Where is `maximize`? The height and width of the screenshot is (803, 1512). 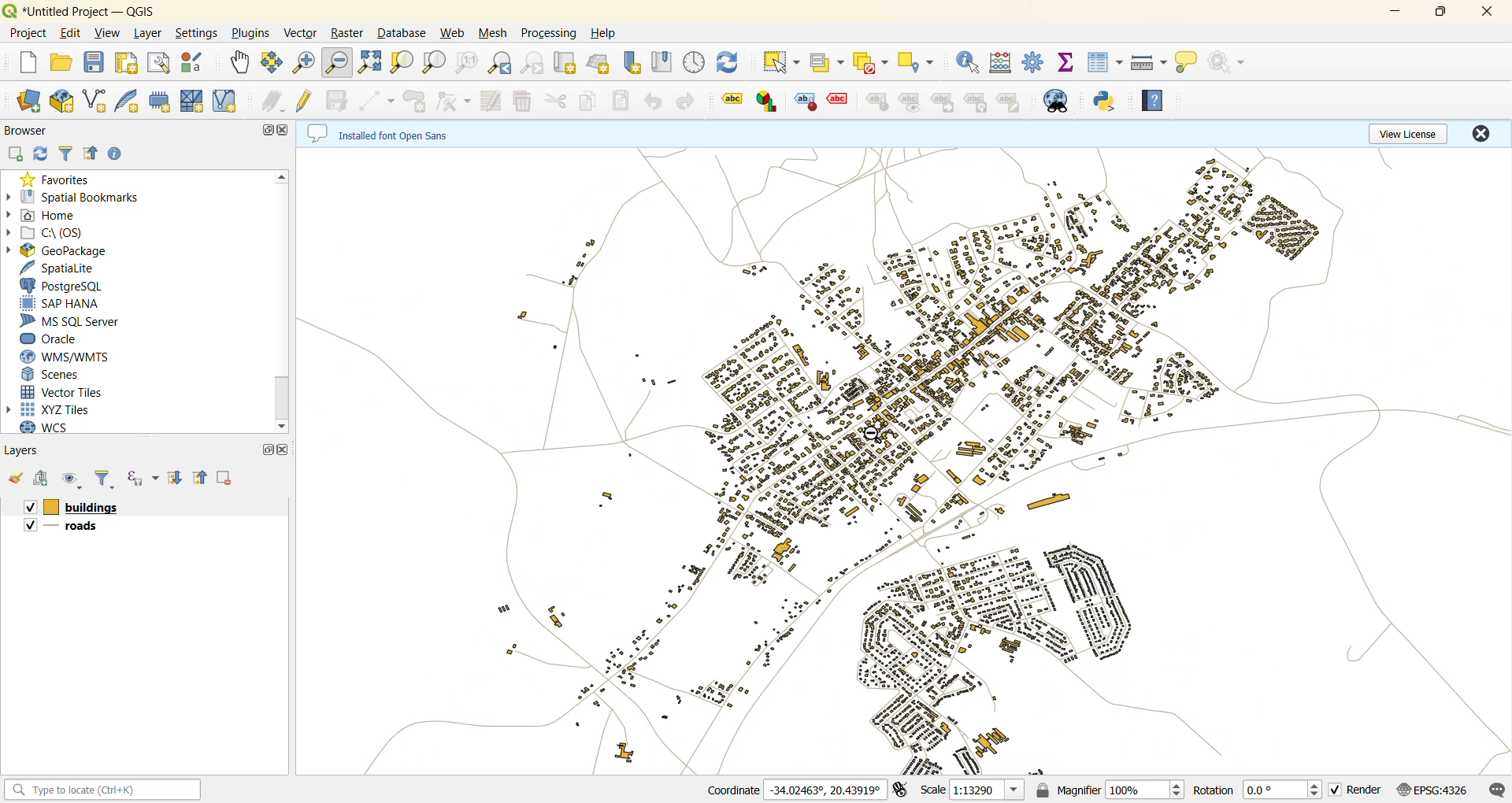
maximize is located at coordinates (265, 453).